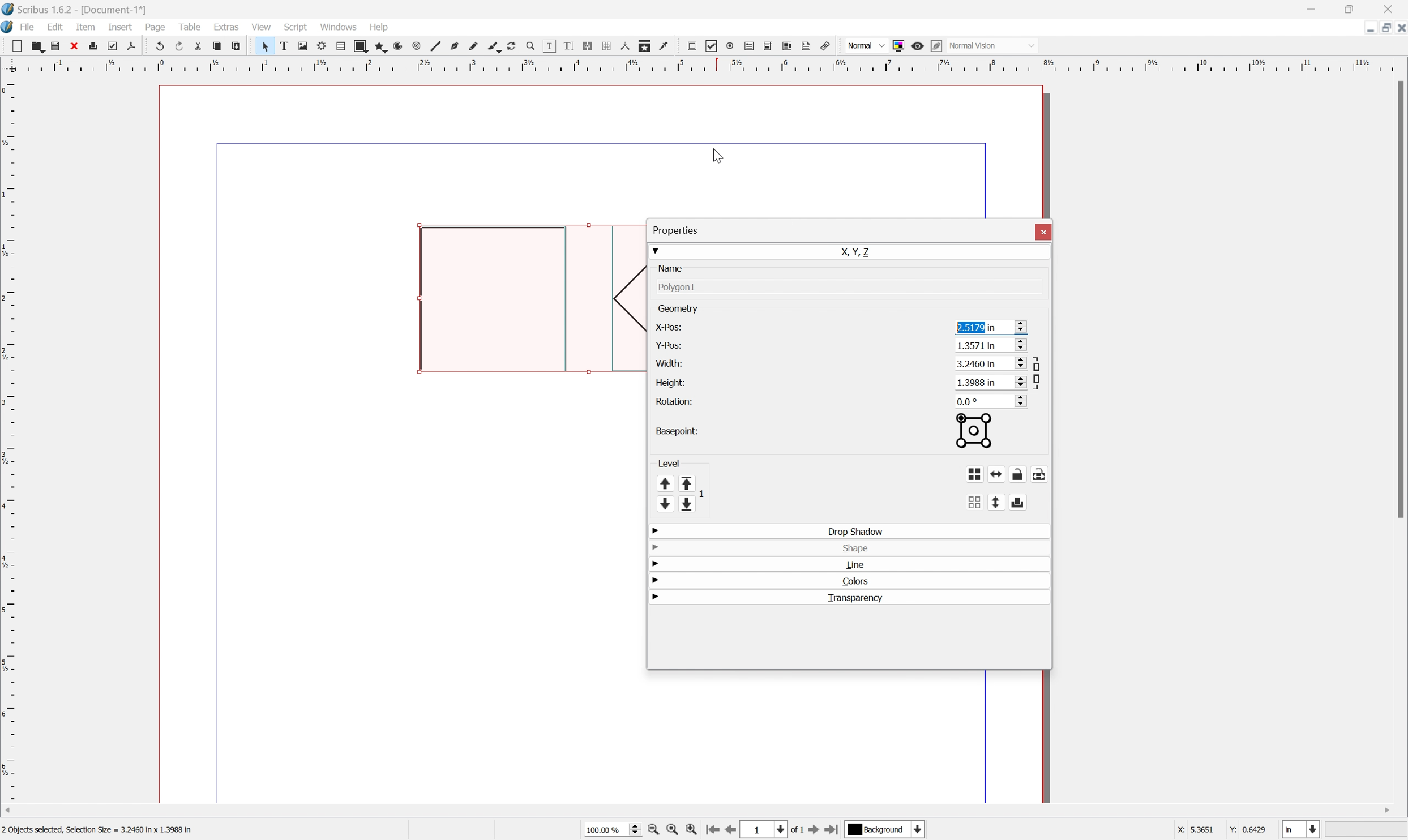  Describe the element at coordinates (730, 830) in the screenshot. I see `Go to previous page` at that location.